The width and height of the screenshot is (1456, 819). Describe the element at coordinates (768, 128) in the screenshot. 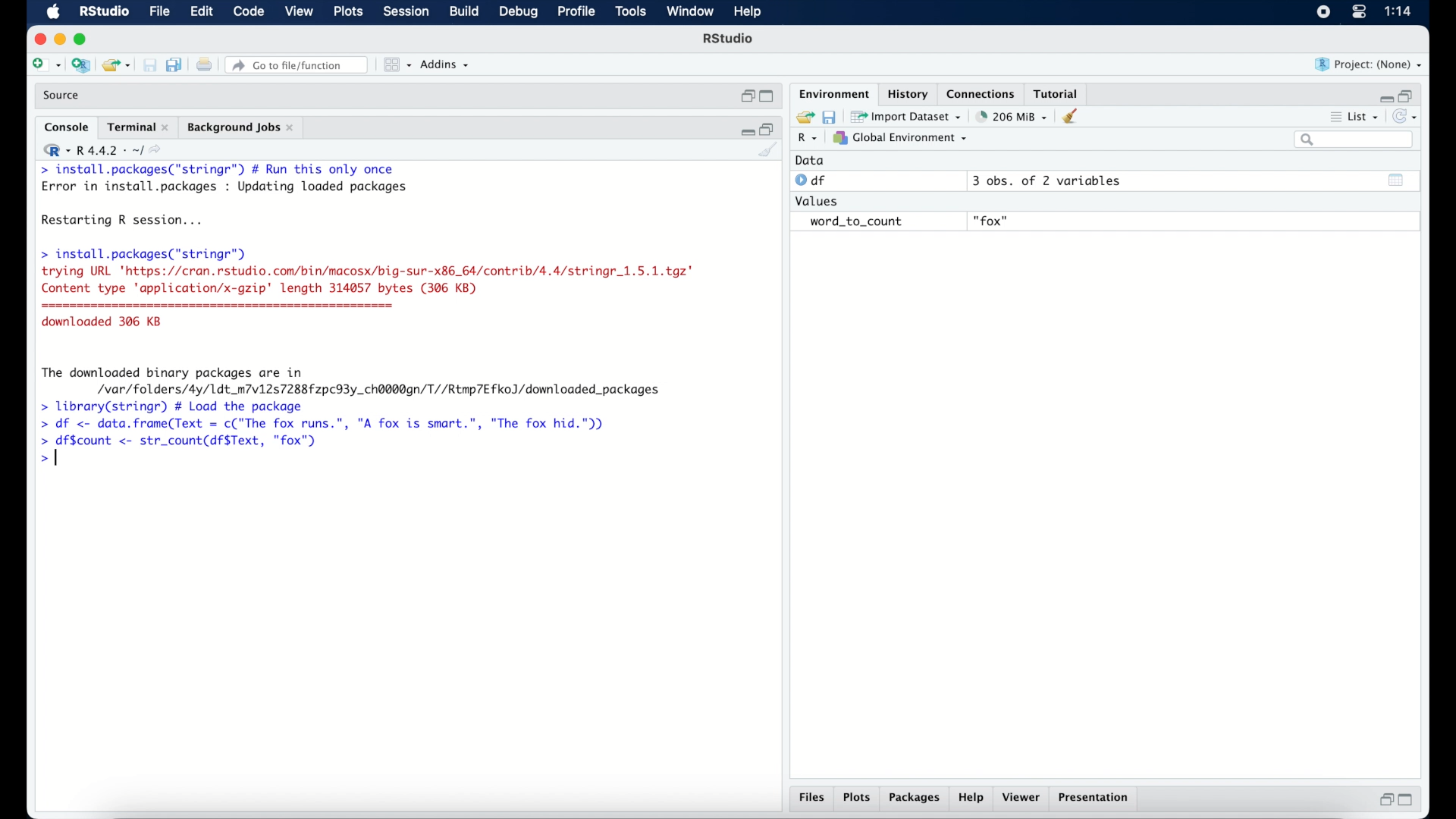

I see `restore down` at that location.